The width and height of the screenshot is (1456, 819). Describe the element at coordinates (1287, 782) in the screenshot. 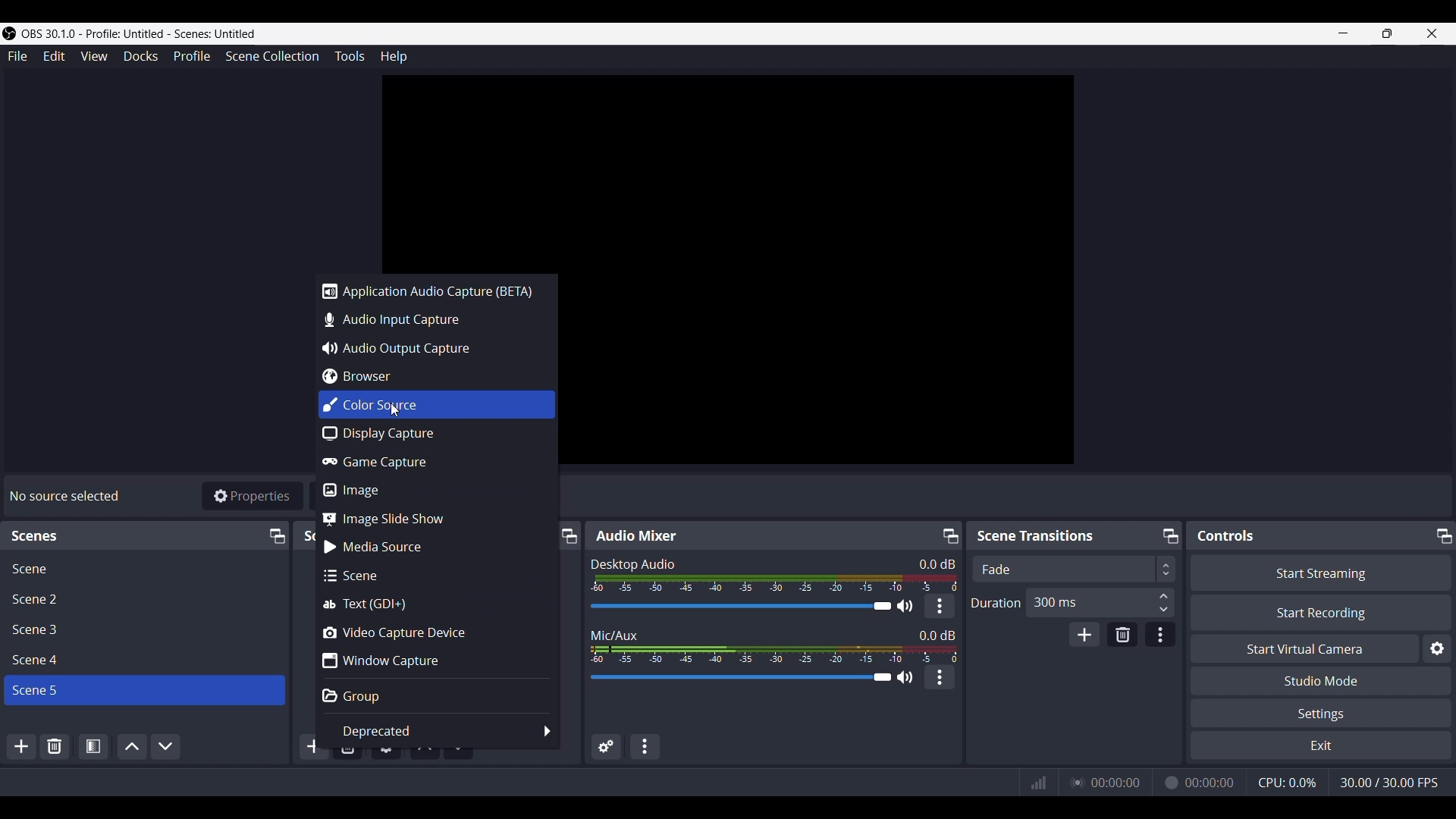

I see `CPU working indicator` at that location.